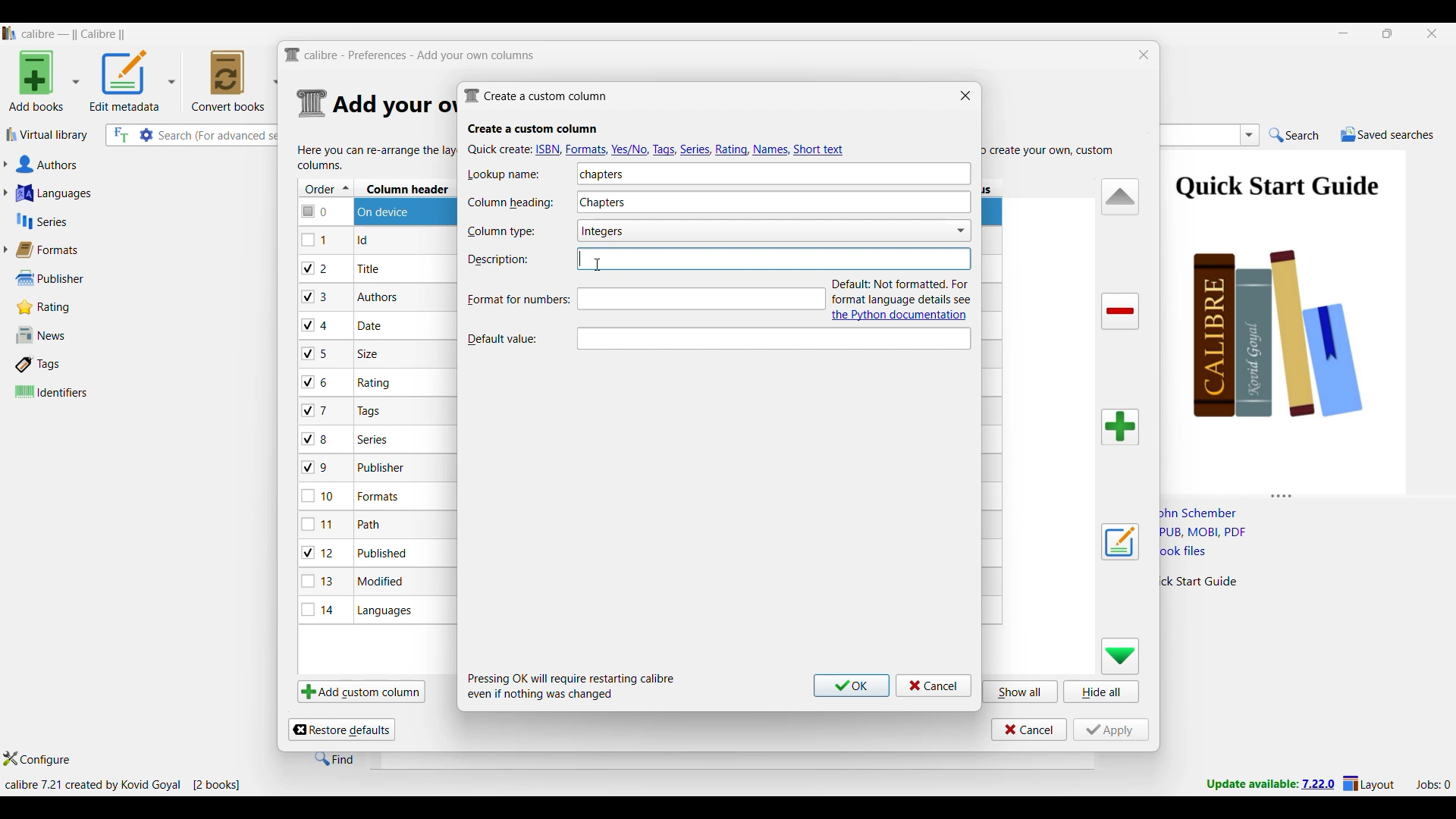 This screenshot has width=1456, height=819. What do you see at coordinates (321, 497) in the screenshot?
I see `checkbox - 10` at bounding box center [321, 497].